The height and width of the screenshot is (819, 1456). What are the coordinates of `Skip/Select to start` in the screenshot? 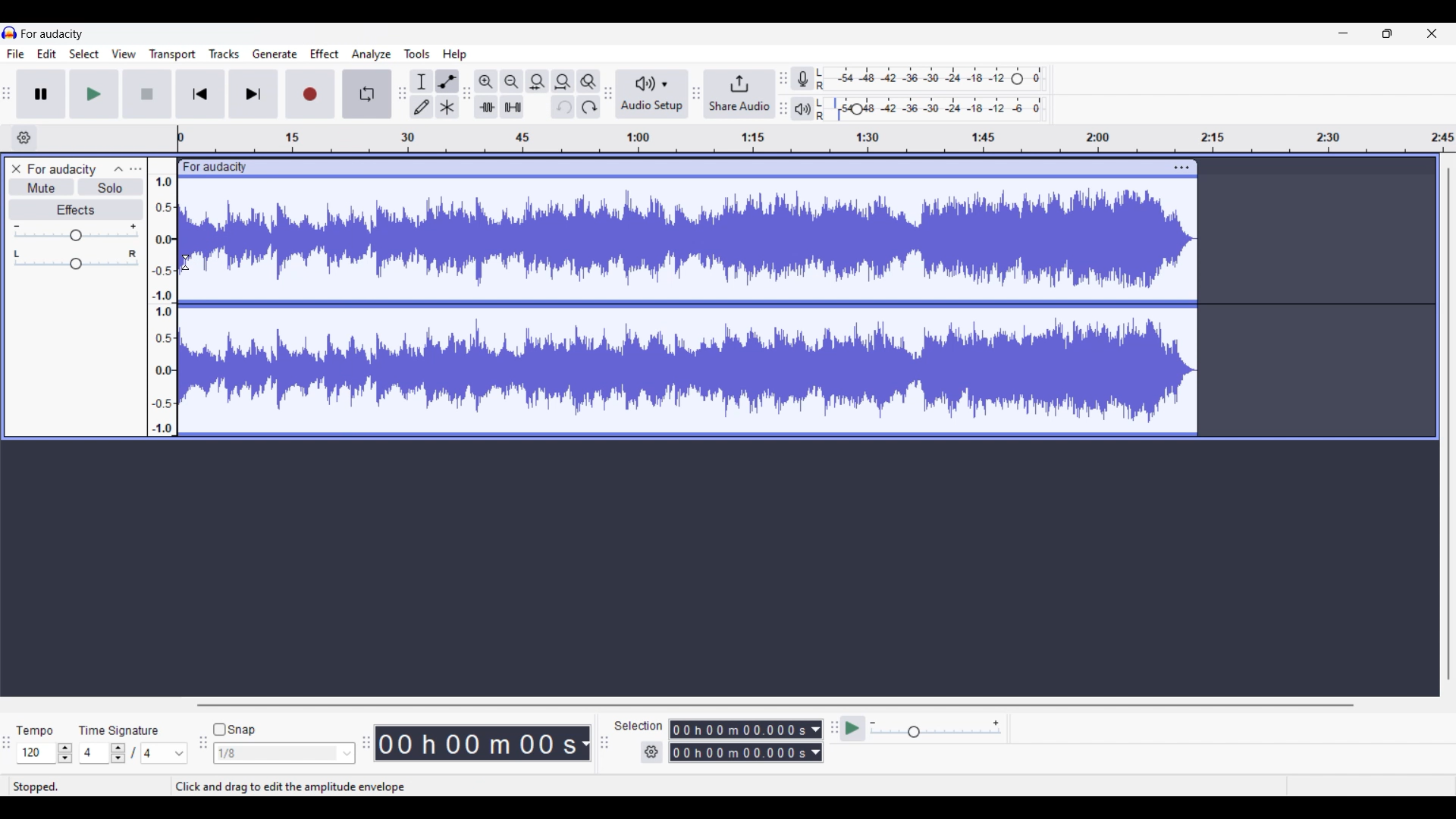 It's located at (200, 93).